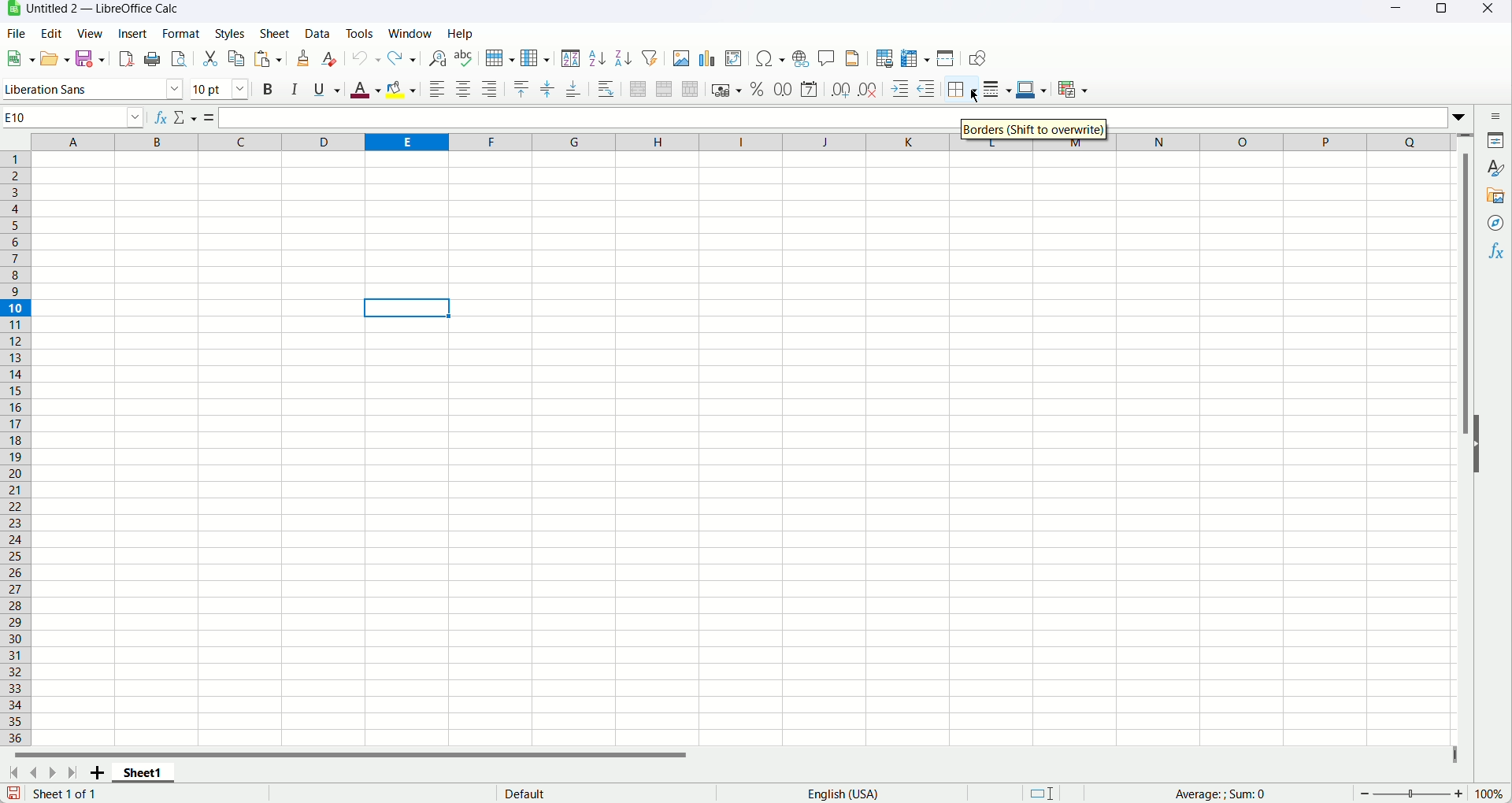 Image resolution: width=1512 pixels, height=803 pixels. Describe the element at coordinates (727, 90) in the screenshot. I see `Format as currency` at that location.